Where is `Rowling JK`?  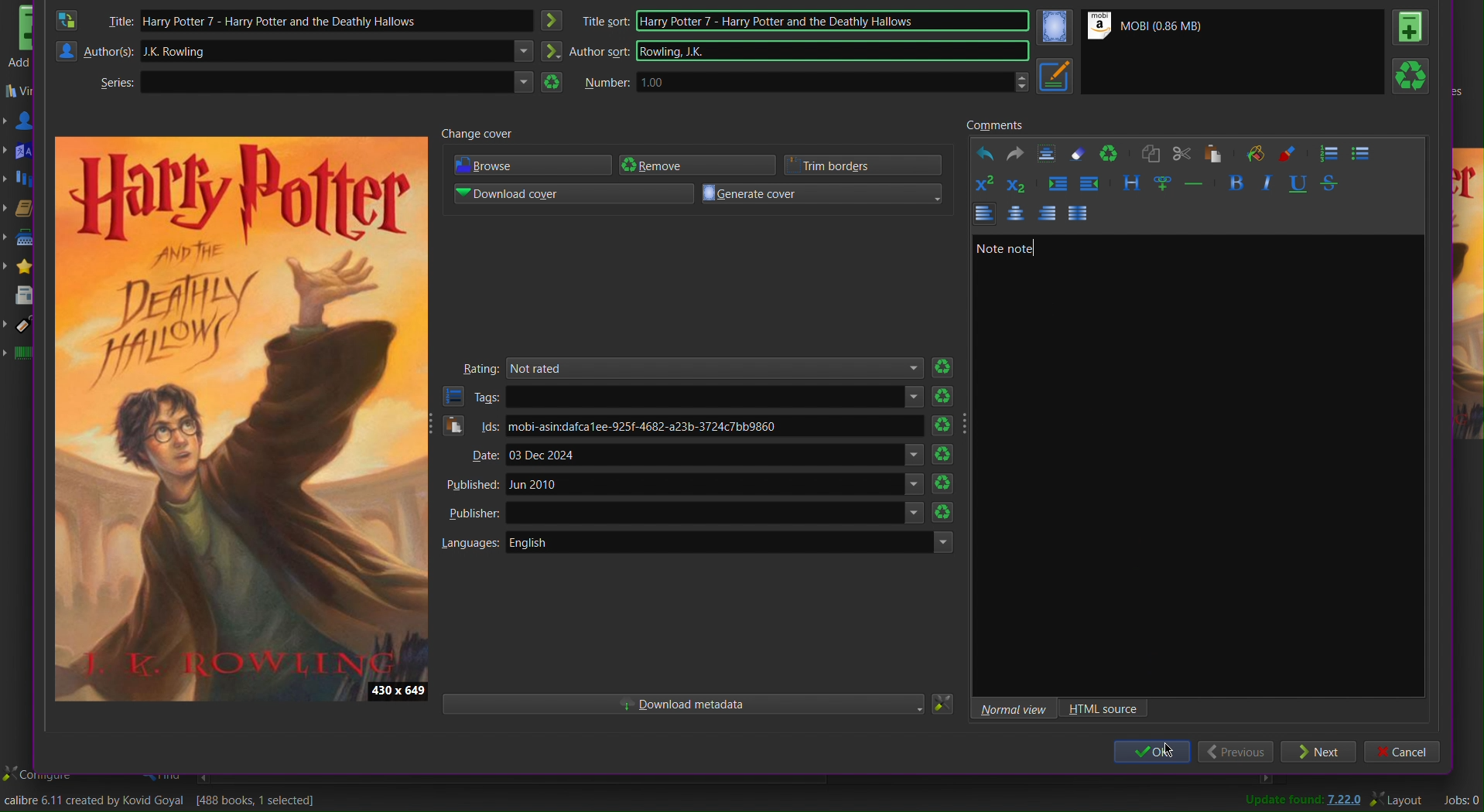 Rowling JK is located at coordinates (835, 49).